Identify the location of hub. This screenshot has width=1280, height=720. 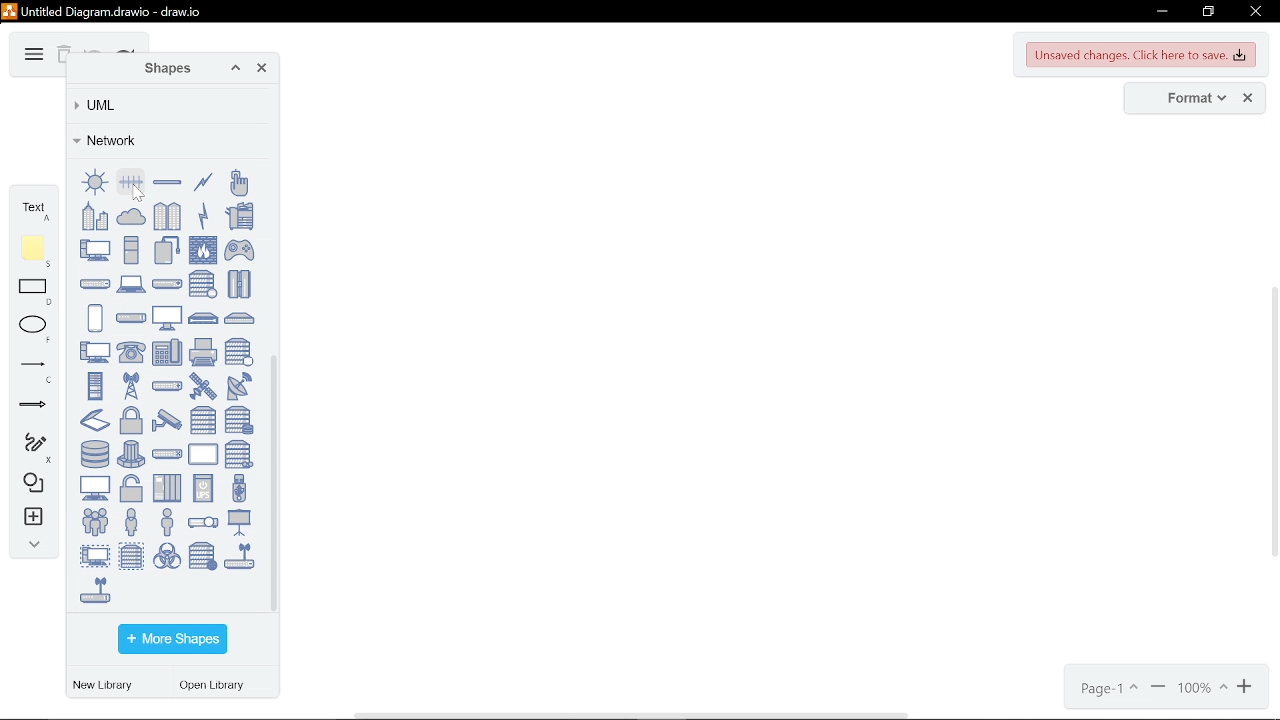
(95, 284).